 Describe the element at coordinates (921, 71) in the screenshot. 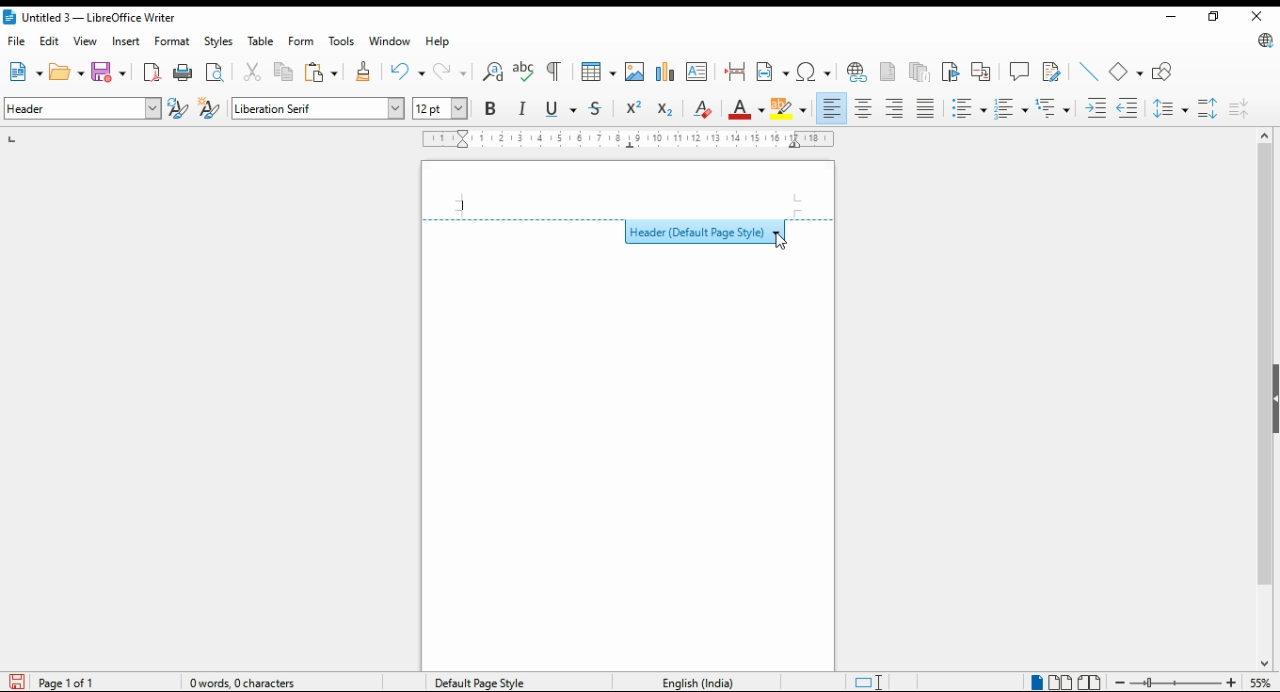

I see `insert endnote` at that location.